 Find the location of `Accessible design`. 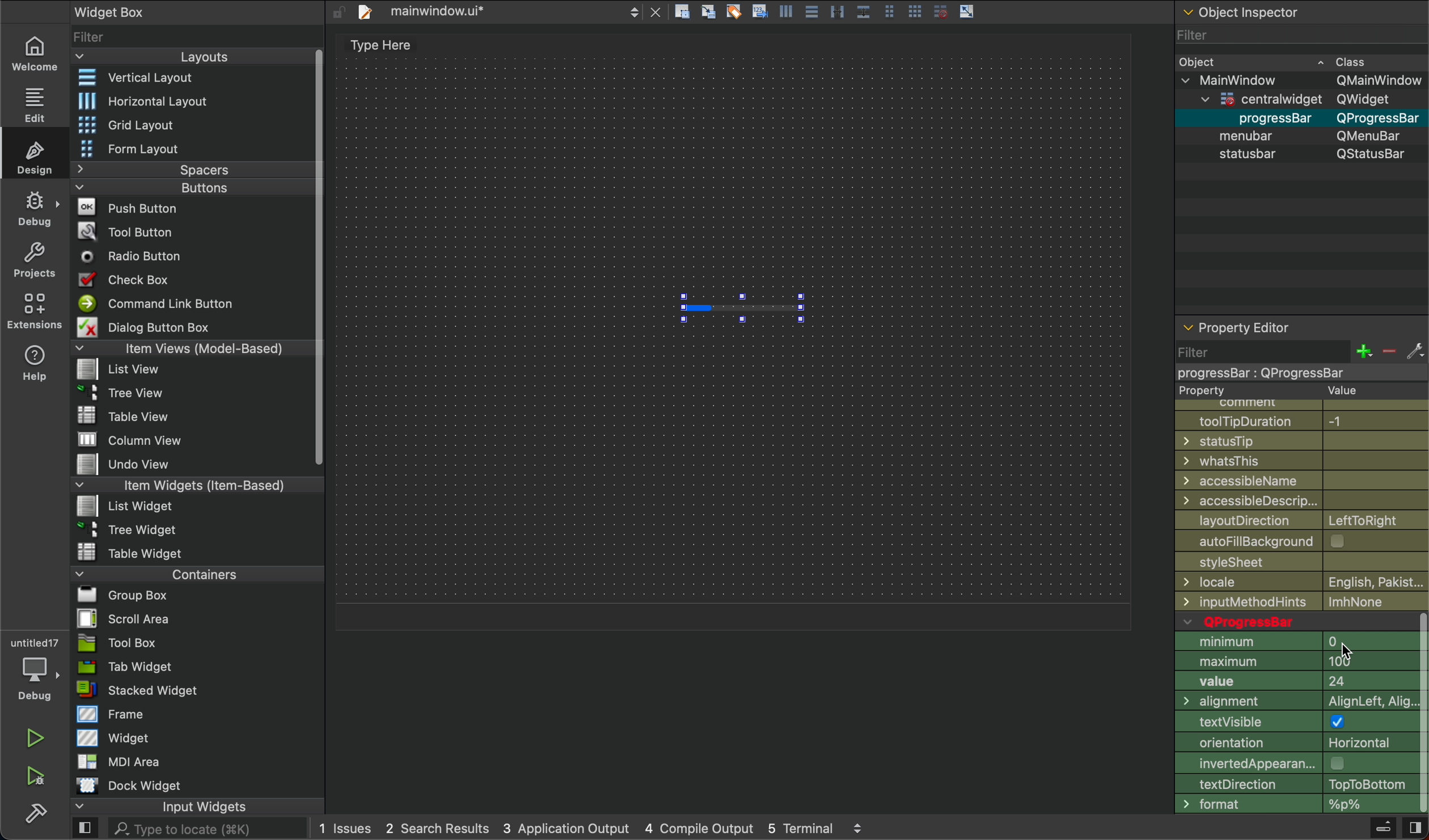

Accessible design is located at coordinates (1302, 500).